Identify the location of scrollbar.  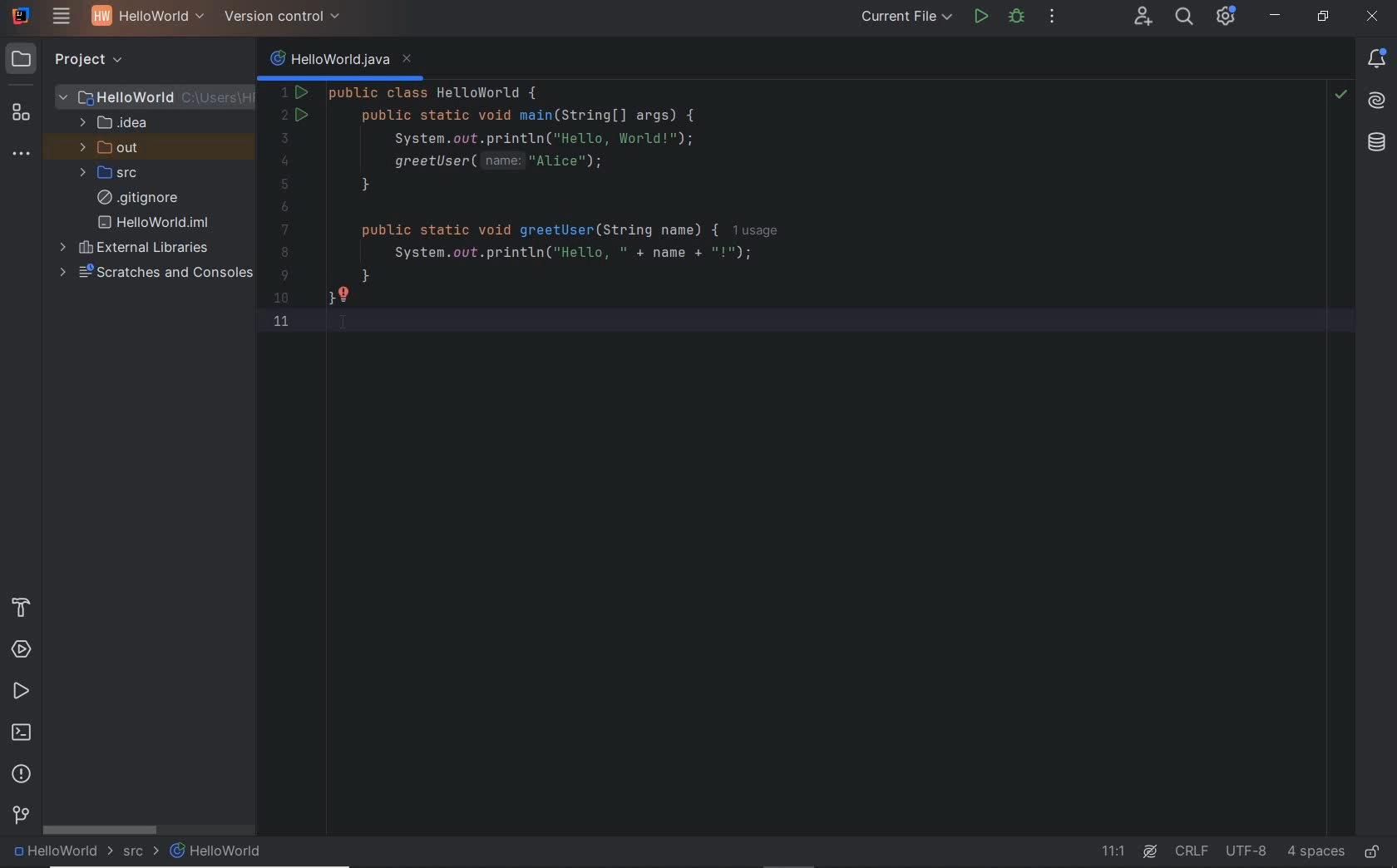
(101, 828).